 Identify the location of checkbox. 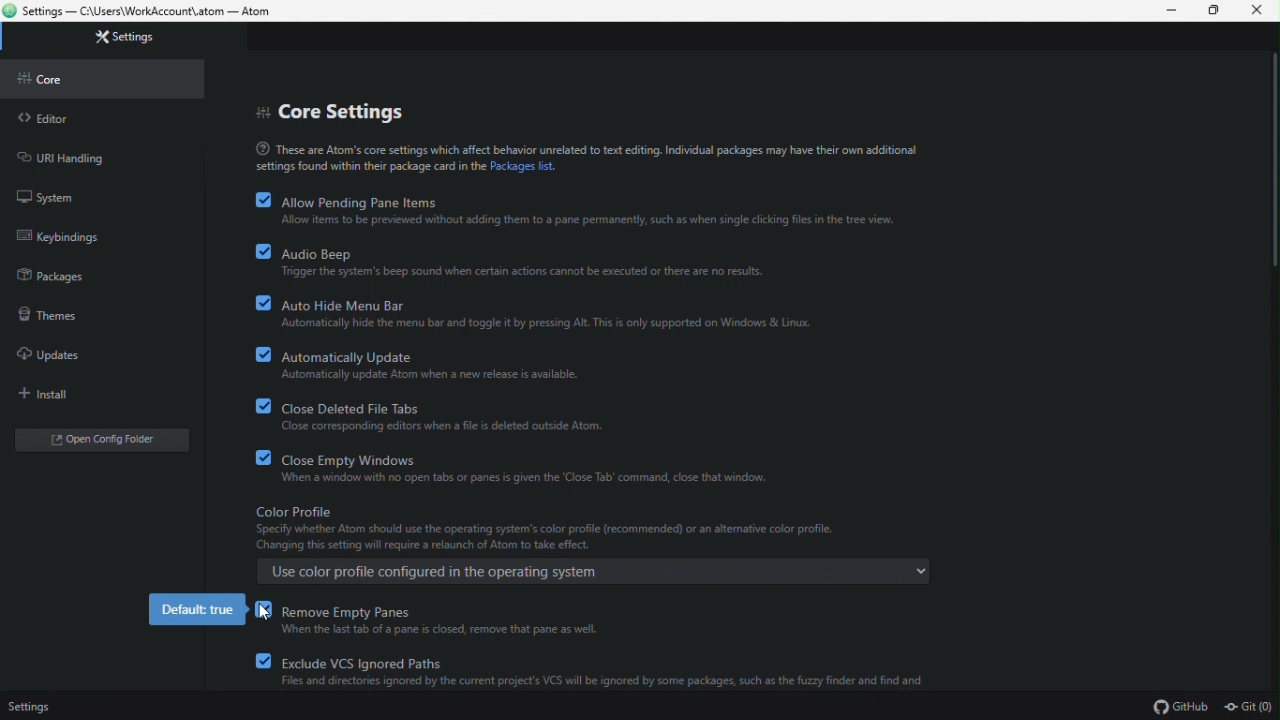
(255, 352).